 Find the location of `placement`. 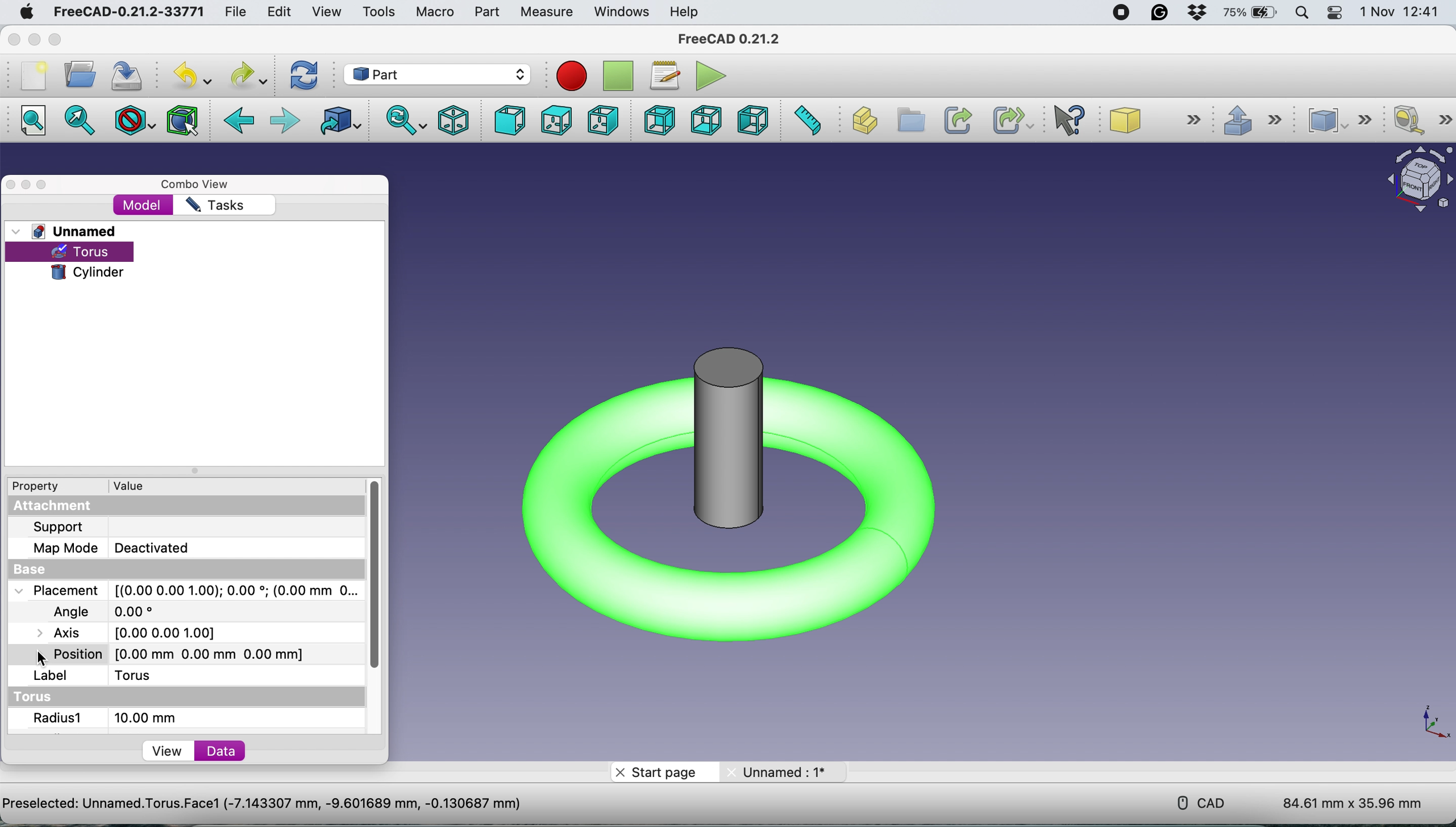

placement is located at coordinates (185, 591).